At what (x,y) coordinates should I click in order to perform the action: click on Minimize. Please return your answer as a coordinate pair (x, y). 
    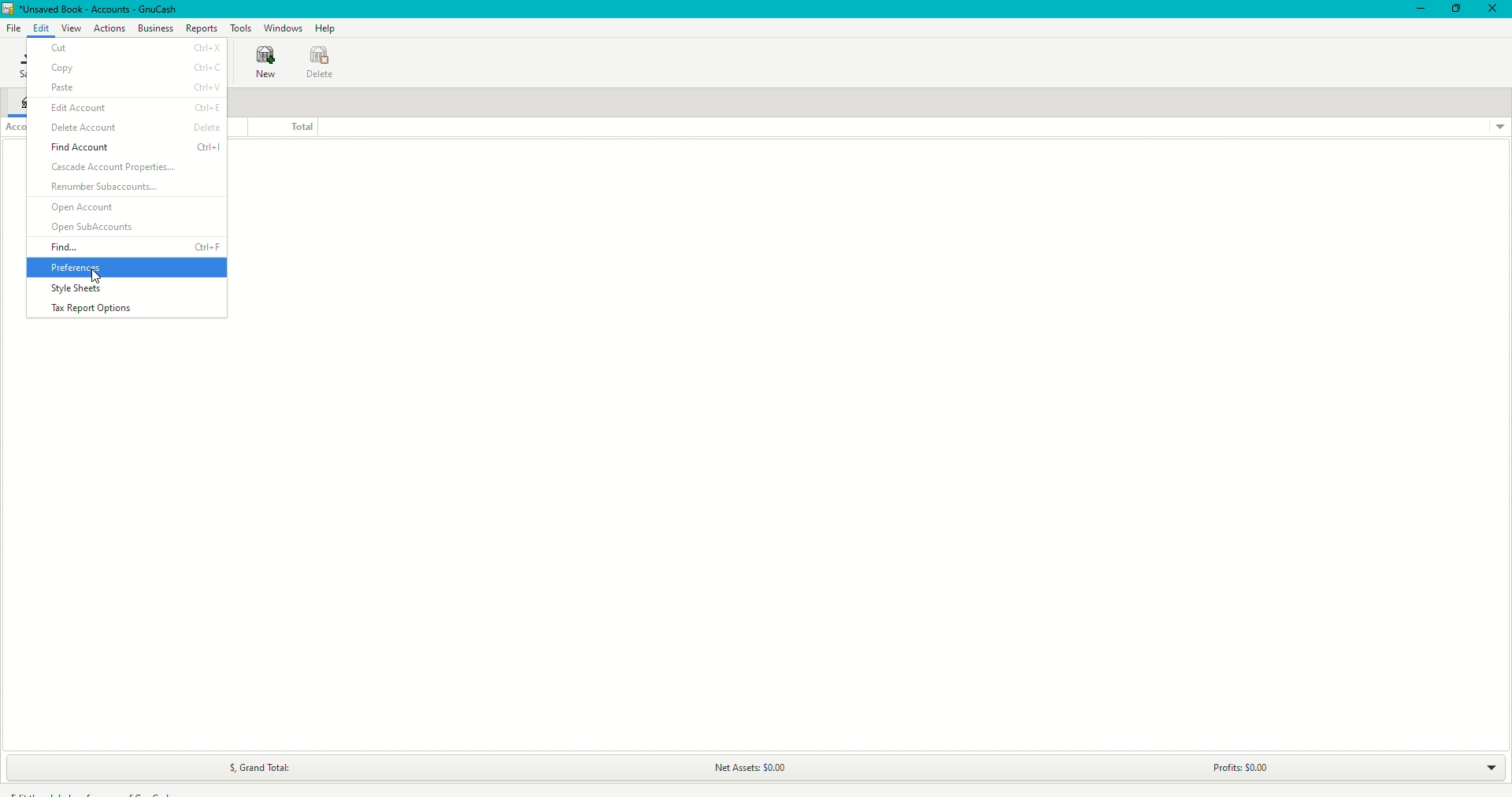
    Looking at the image, I should click on (1417, 9).